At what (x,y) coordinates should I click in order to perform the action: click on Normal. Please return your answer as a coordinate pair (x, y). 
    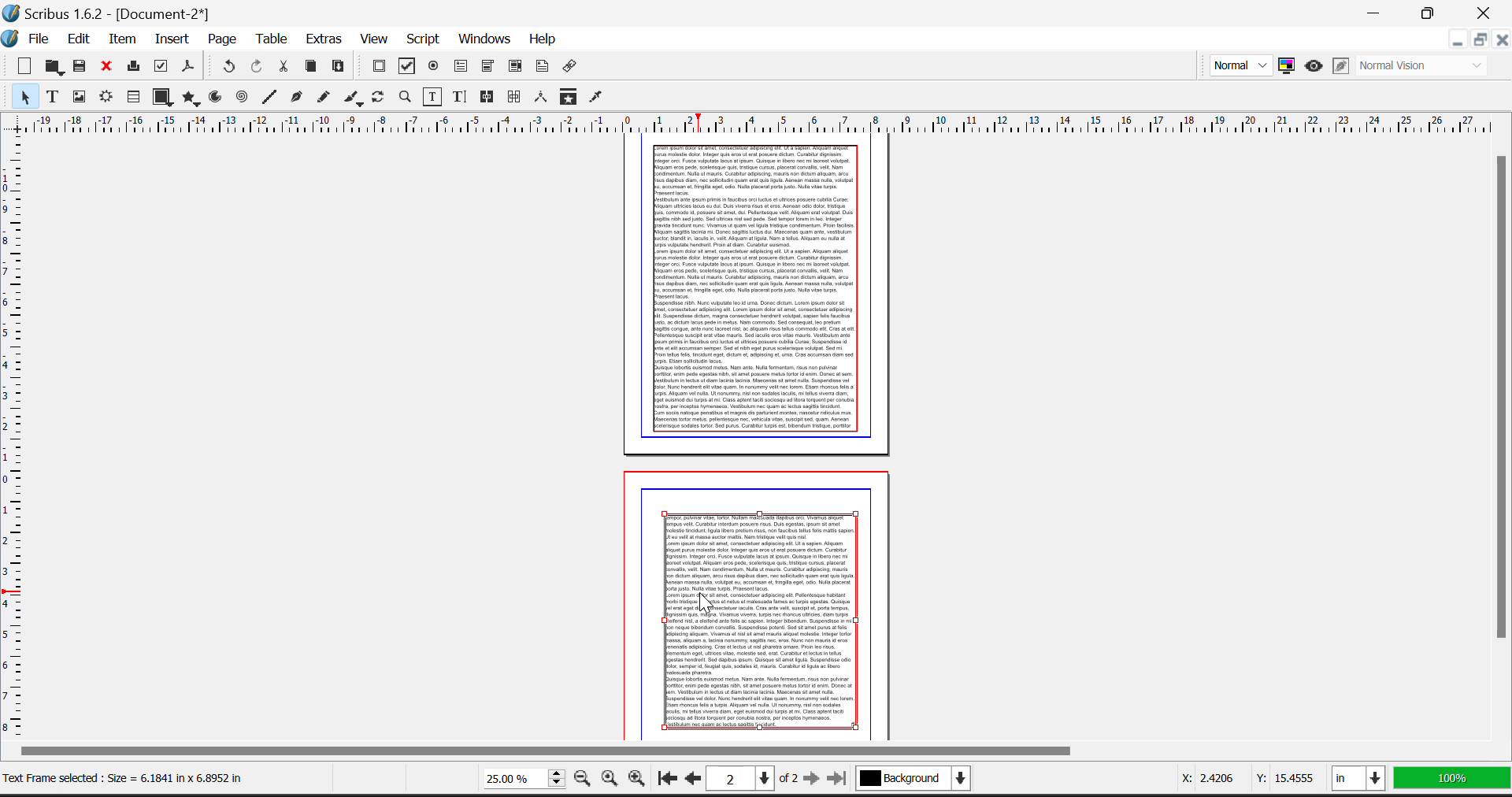
    Looking at the image, I should click on (1239, 65).